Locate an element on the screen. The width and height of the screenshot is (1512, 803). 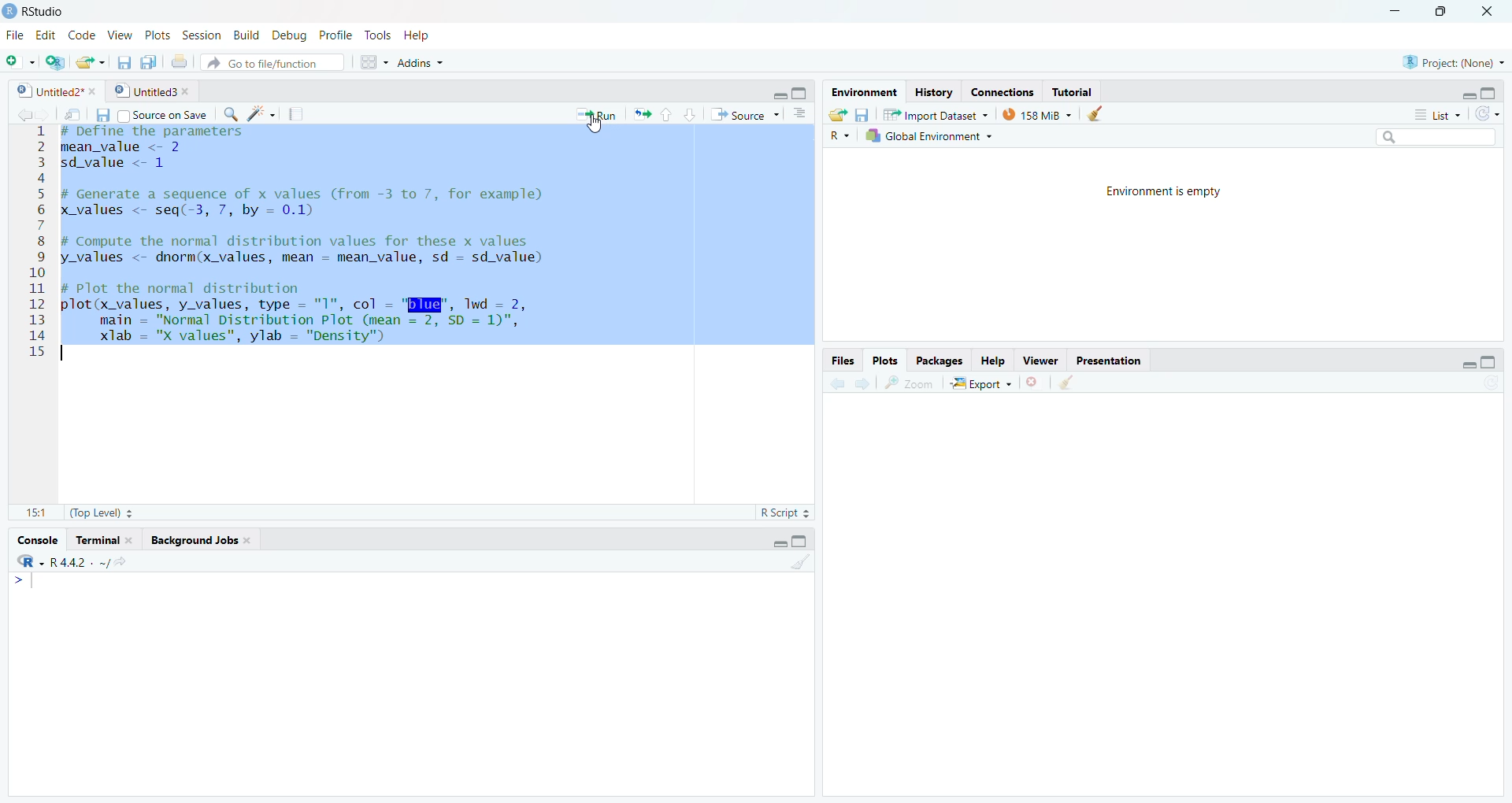
 is located at coordinates (1477, 358).